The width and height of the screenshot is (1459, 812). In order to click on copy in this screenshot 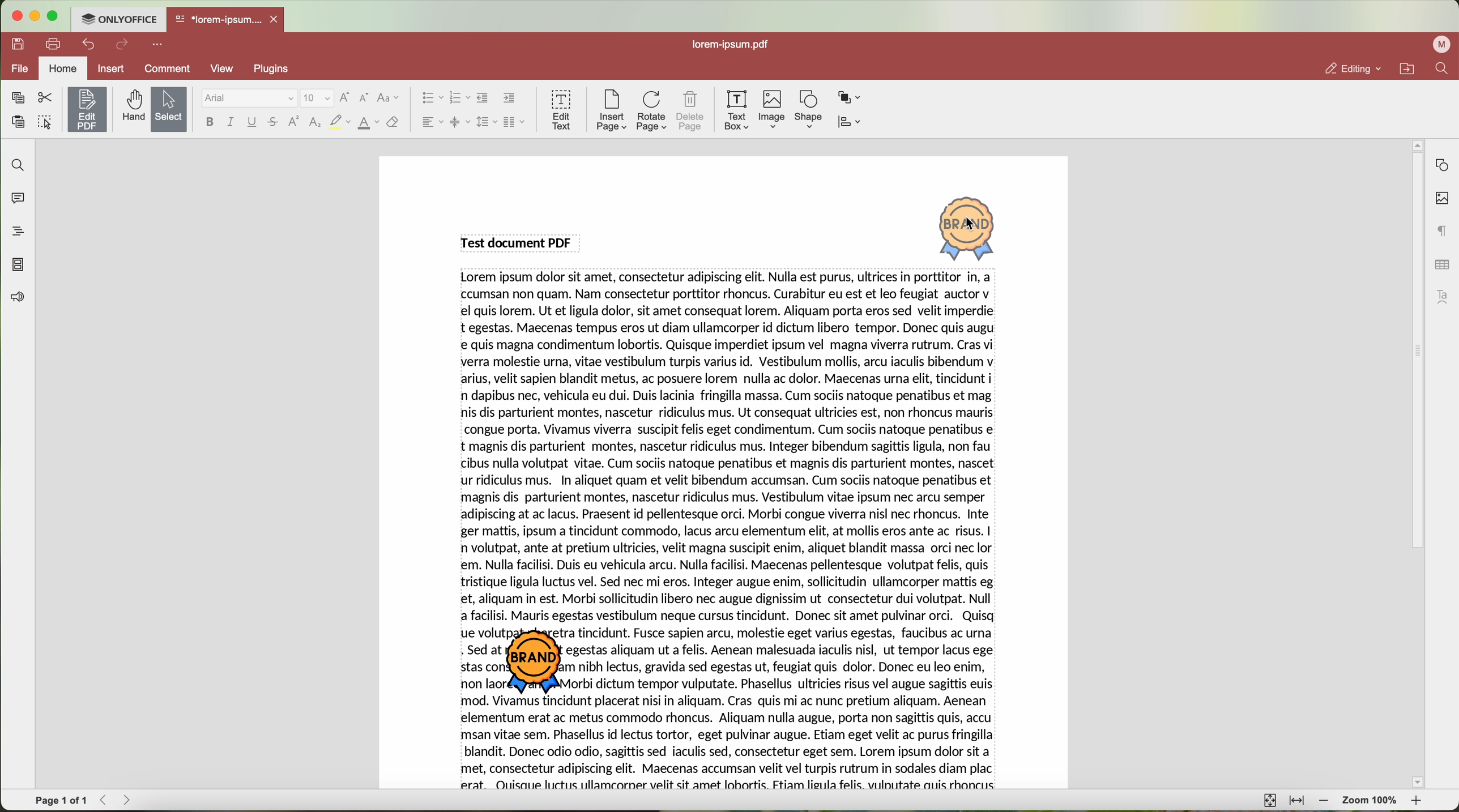, I will do `click(18, 98)`.